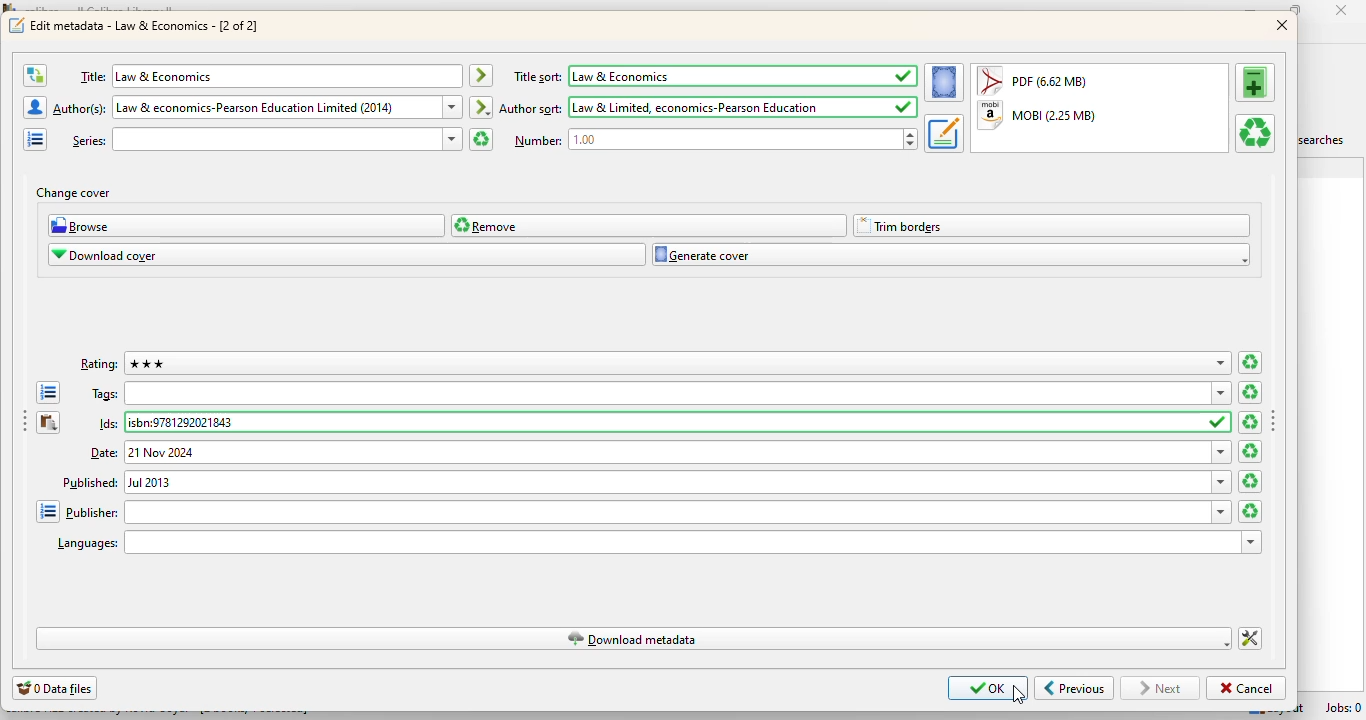 The width and height of the screenshot is (1366, 720). What do you see at coordinates (55, 688) in the screenshot?
I see `0 data files` at bounding box center [55, 688].